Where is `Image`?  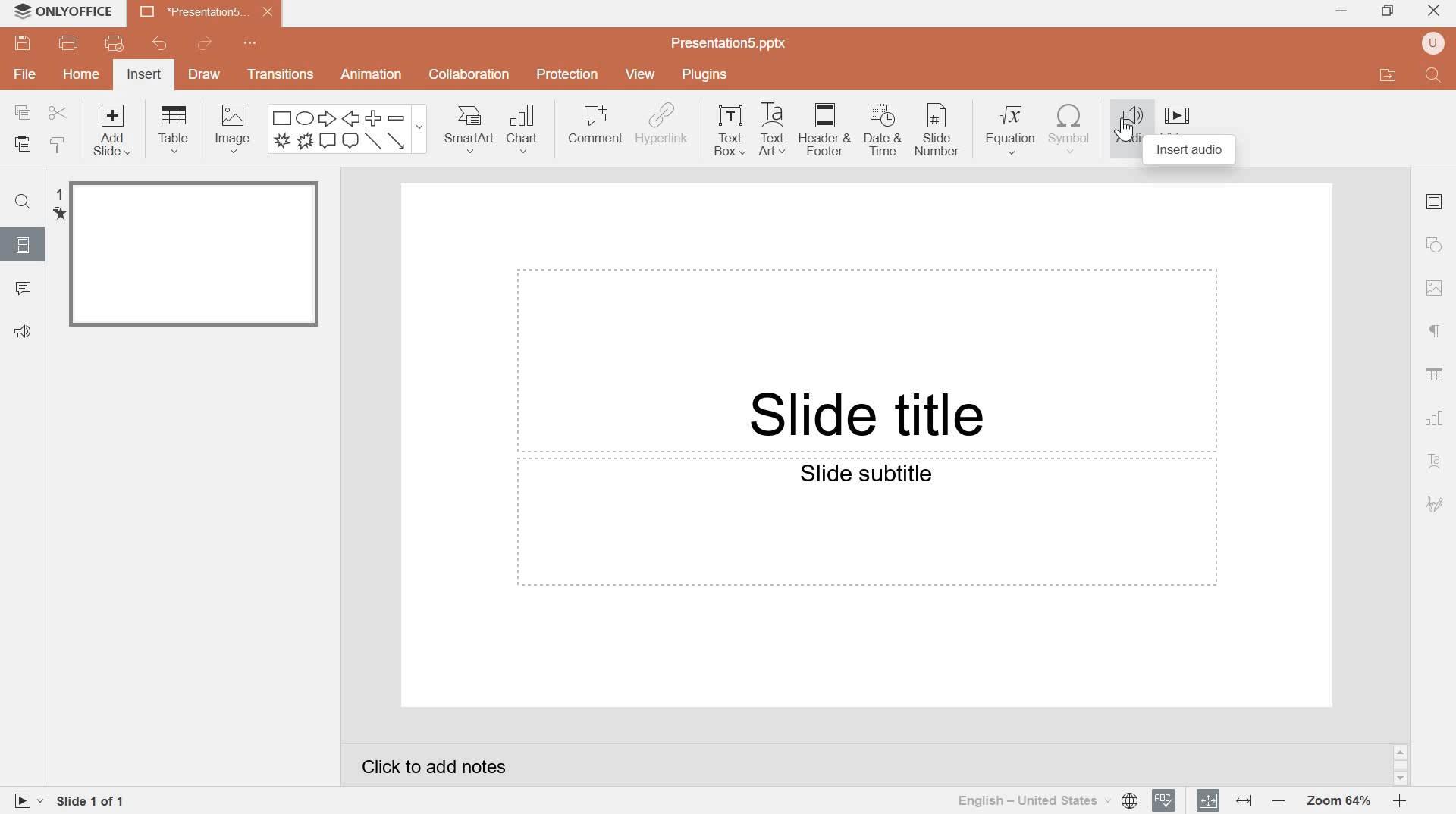 Image is located at coordinates (1436, 288).